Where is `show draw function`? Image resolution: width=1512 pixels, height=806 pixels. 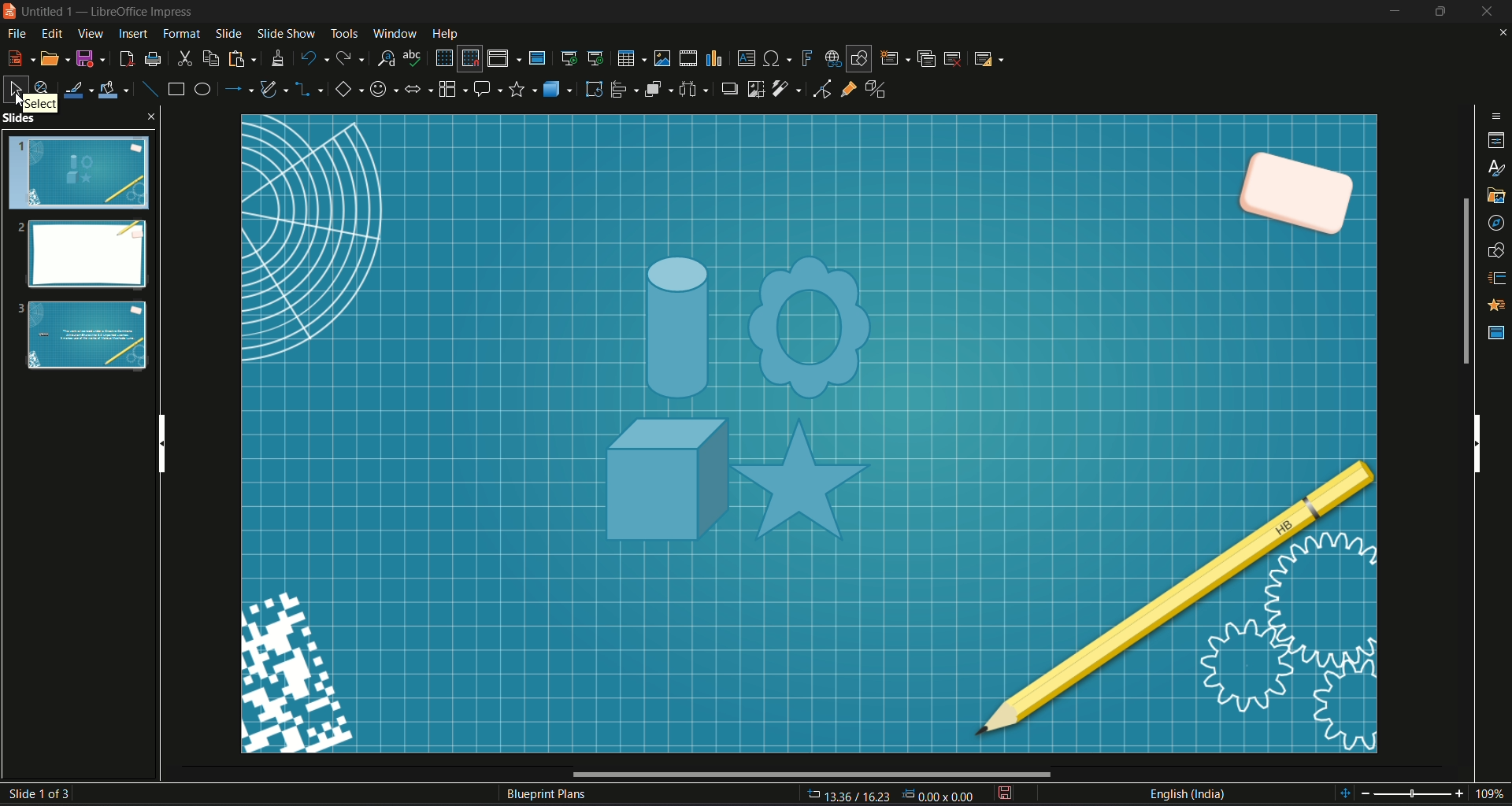 show draw function is located at coordinates (859, 58).